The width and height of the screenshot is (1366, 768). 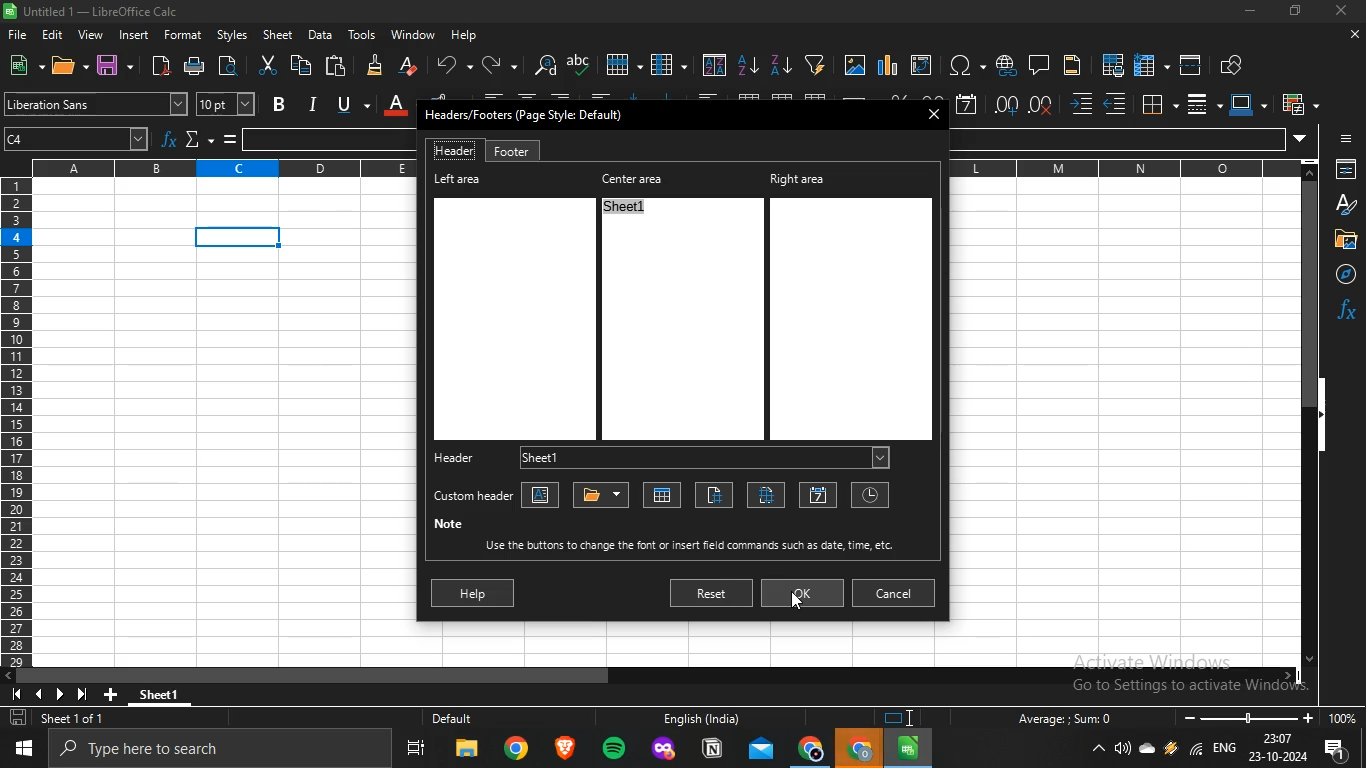 I want to click on copy, so click(x=301, y=65).